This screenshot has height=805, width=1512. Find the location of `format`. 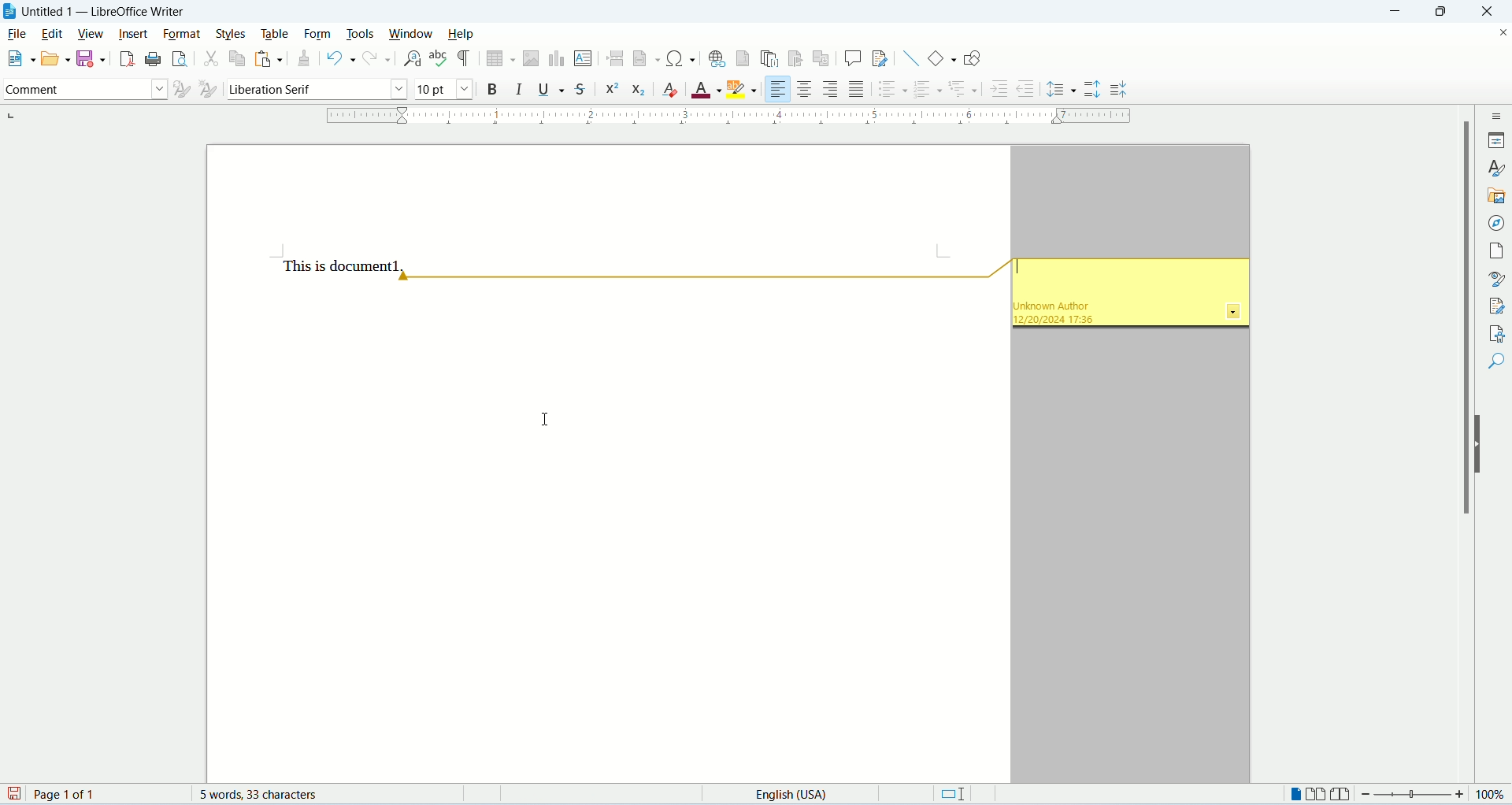

format is located at coordinates (180, 33).